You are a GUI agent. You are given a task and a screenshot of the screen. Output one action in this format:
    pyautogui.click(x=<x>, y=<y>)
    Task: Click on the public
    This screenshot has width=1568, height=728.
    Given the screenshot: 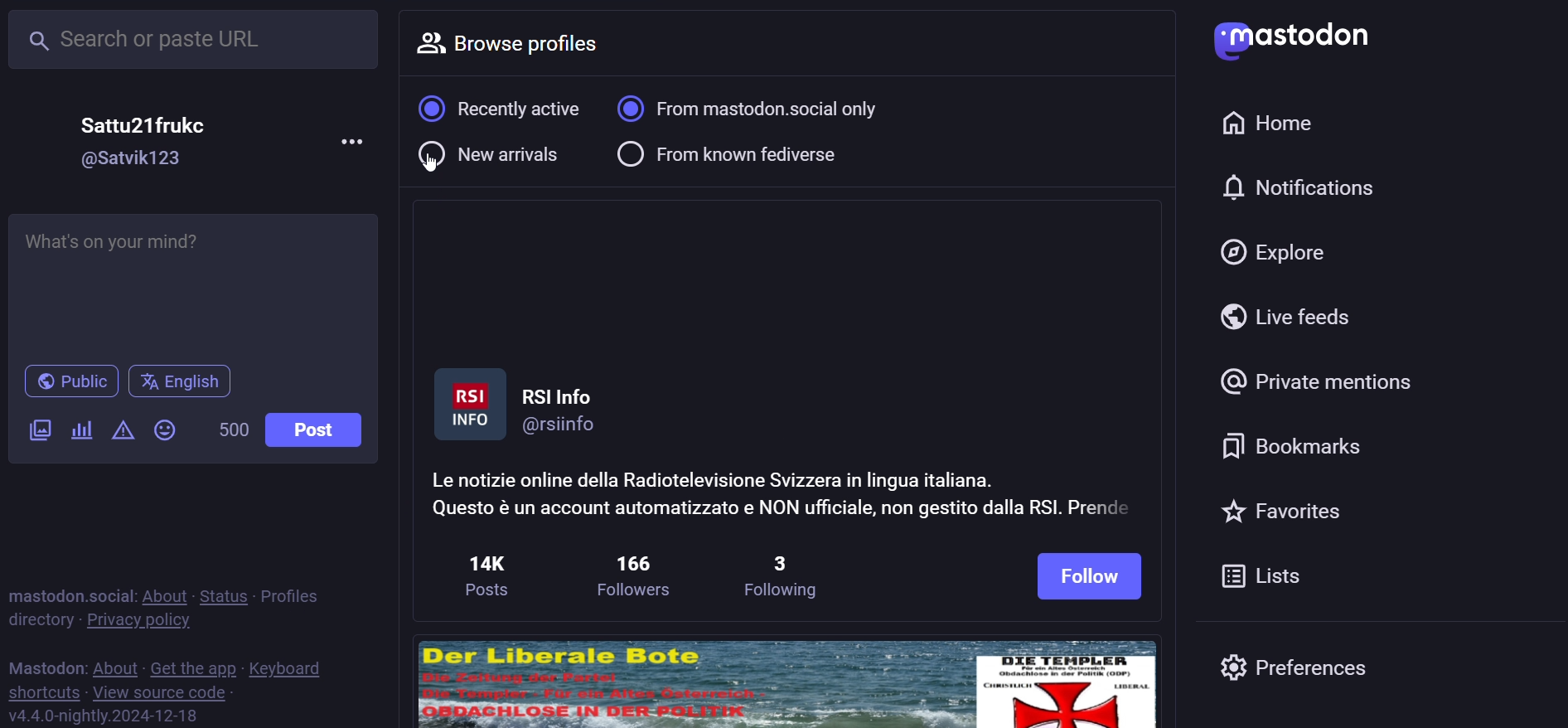 What is the action you would take?
    pyautogui.click(x=70, y=384)
    